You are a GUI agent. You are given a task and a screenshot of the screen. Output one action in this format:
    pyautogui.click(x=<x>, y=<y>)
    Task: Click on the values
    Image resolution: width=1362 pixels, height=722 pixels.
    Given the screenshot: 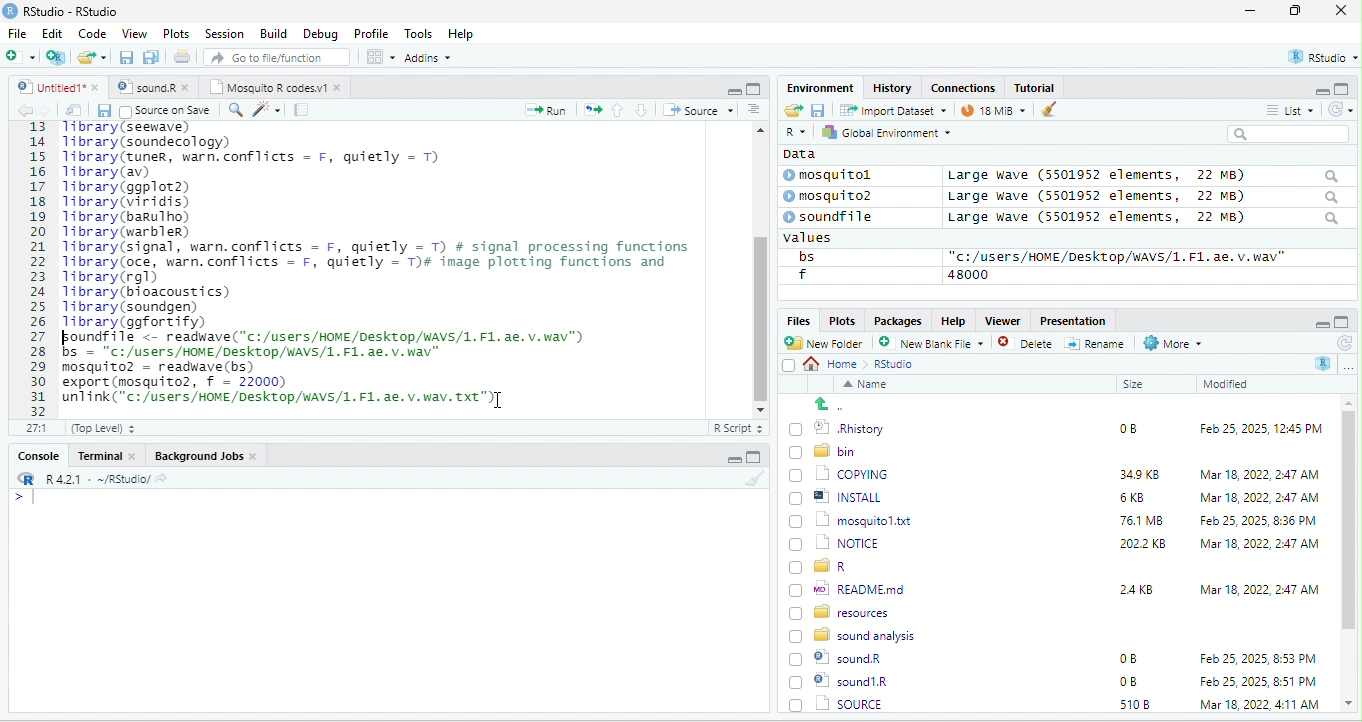 What is the action you would take?
    pyautogui.click(x=818, y=238)
    